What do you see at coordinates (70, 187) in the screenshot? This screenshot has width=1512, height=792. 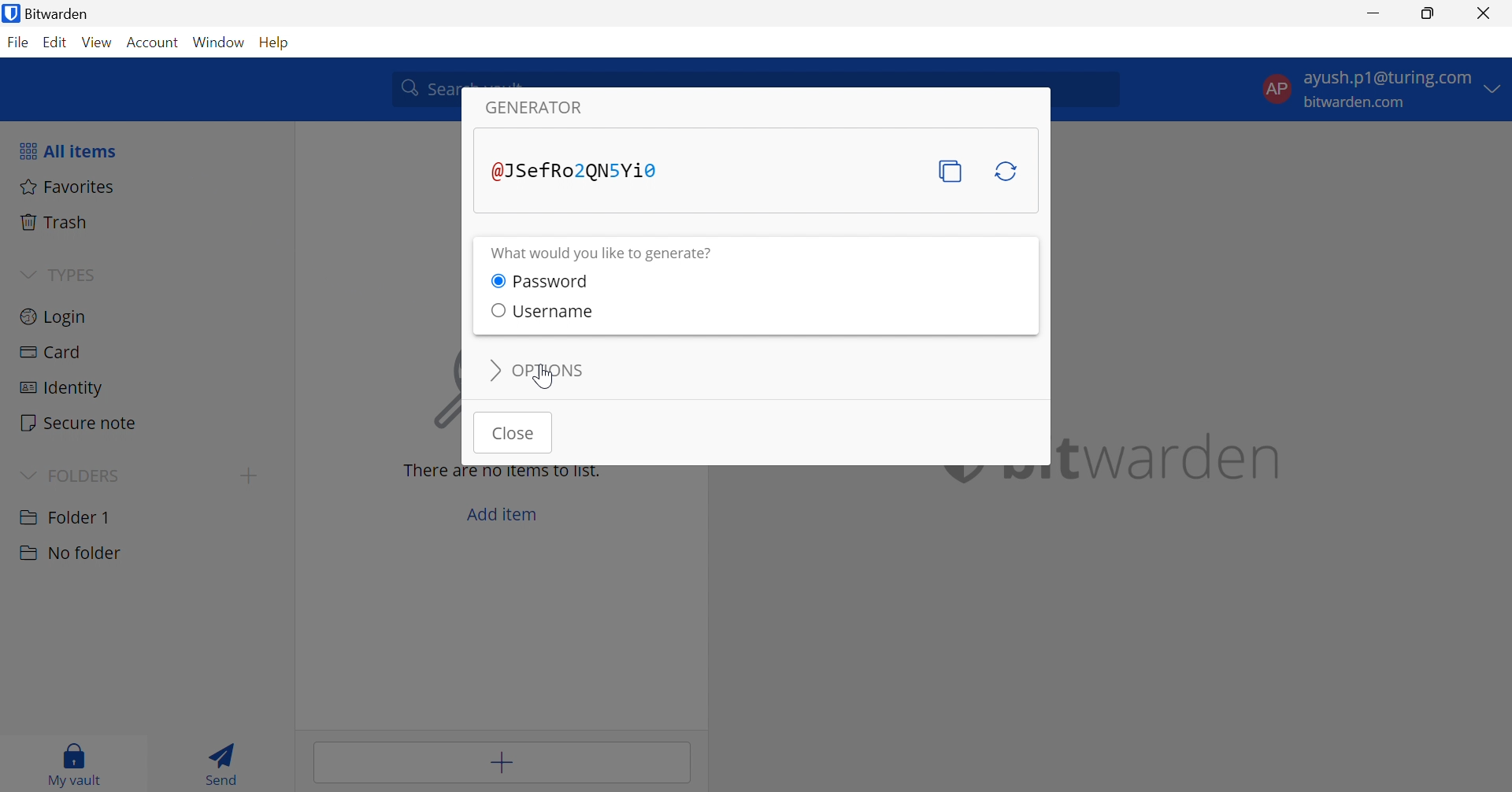 I see `Favorites` at bounding box center [70, 187].